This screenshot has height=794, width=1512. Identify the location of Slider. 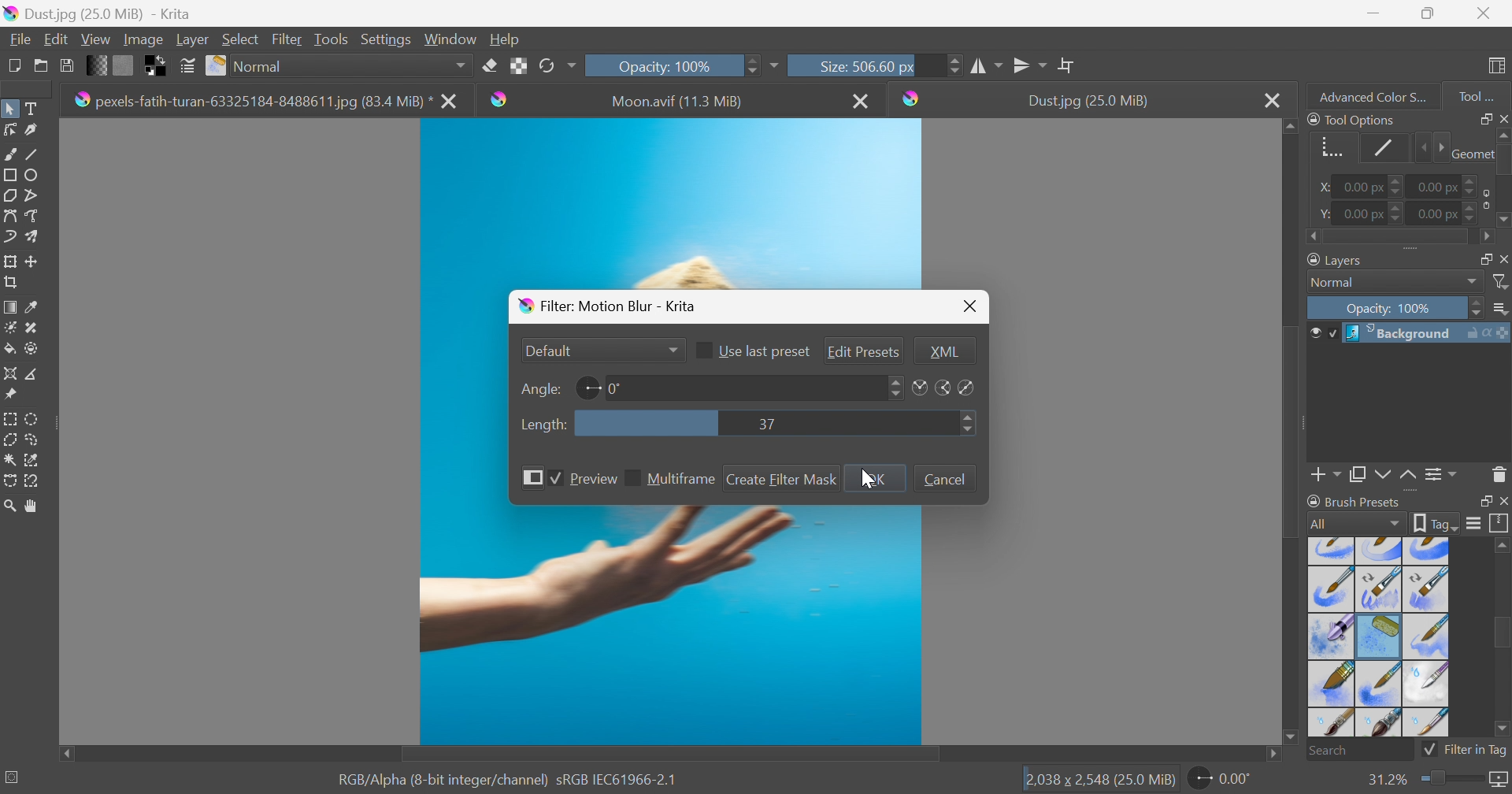
(1398, 187).